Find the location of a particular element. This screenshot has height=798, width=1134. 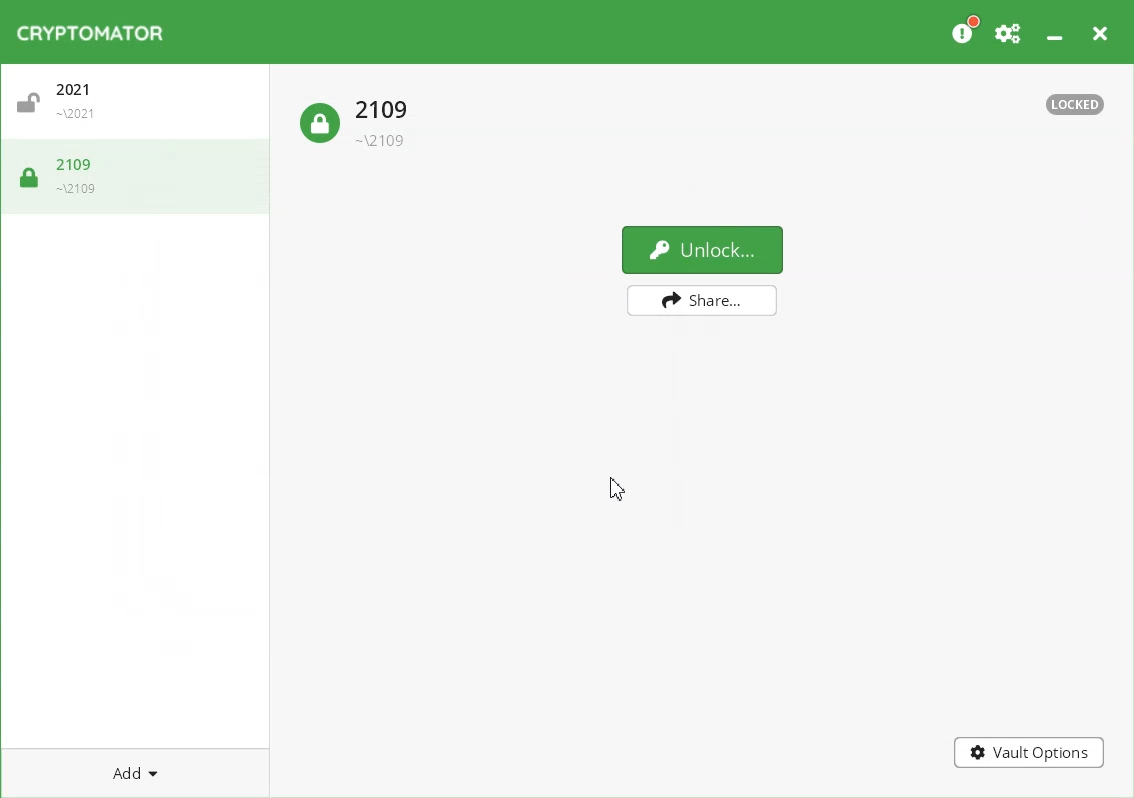

Preferences is located at coordinates (1009, 32).